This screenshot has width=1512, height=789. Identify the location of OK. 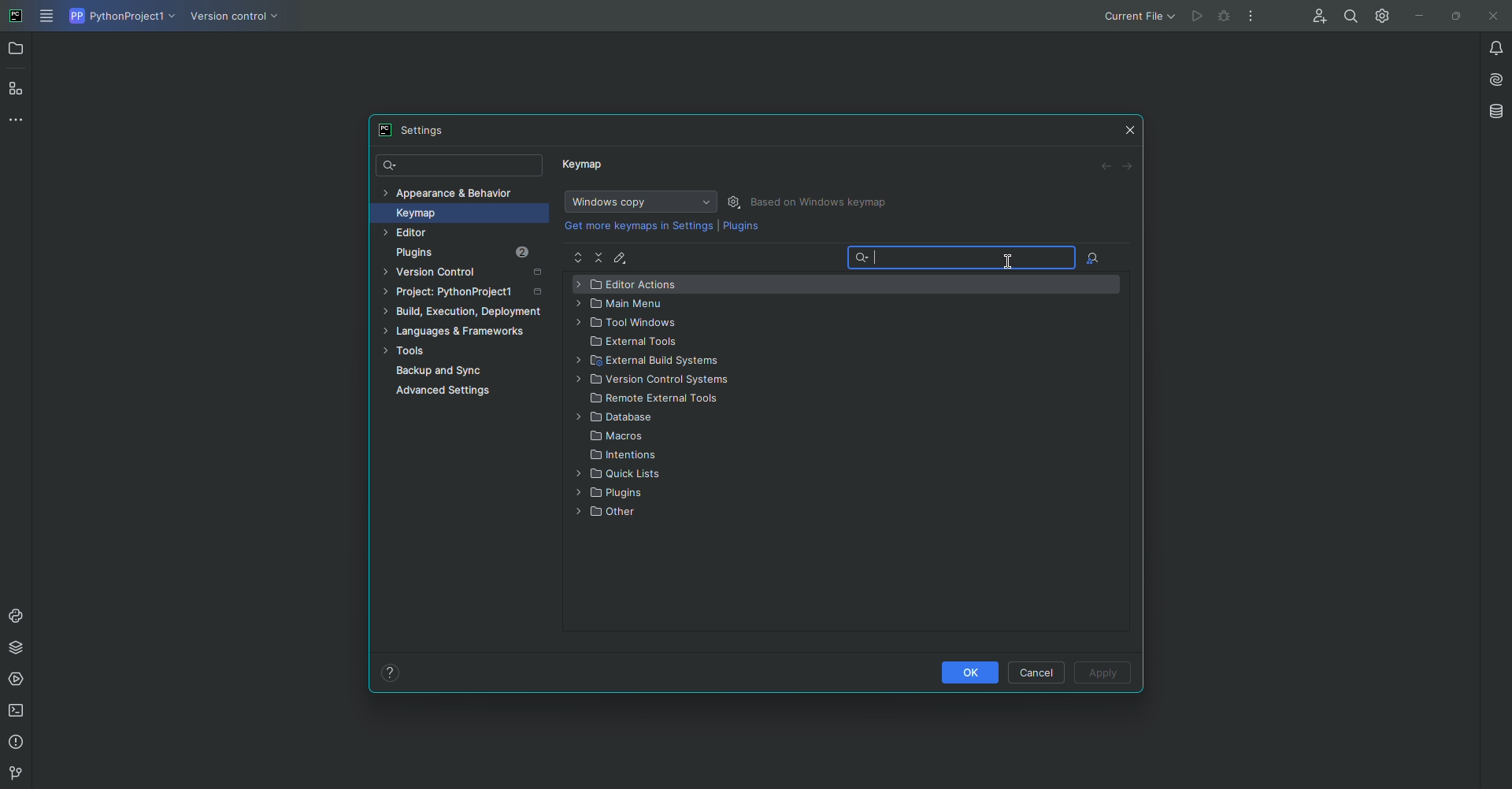
(968, 672).